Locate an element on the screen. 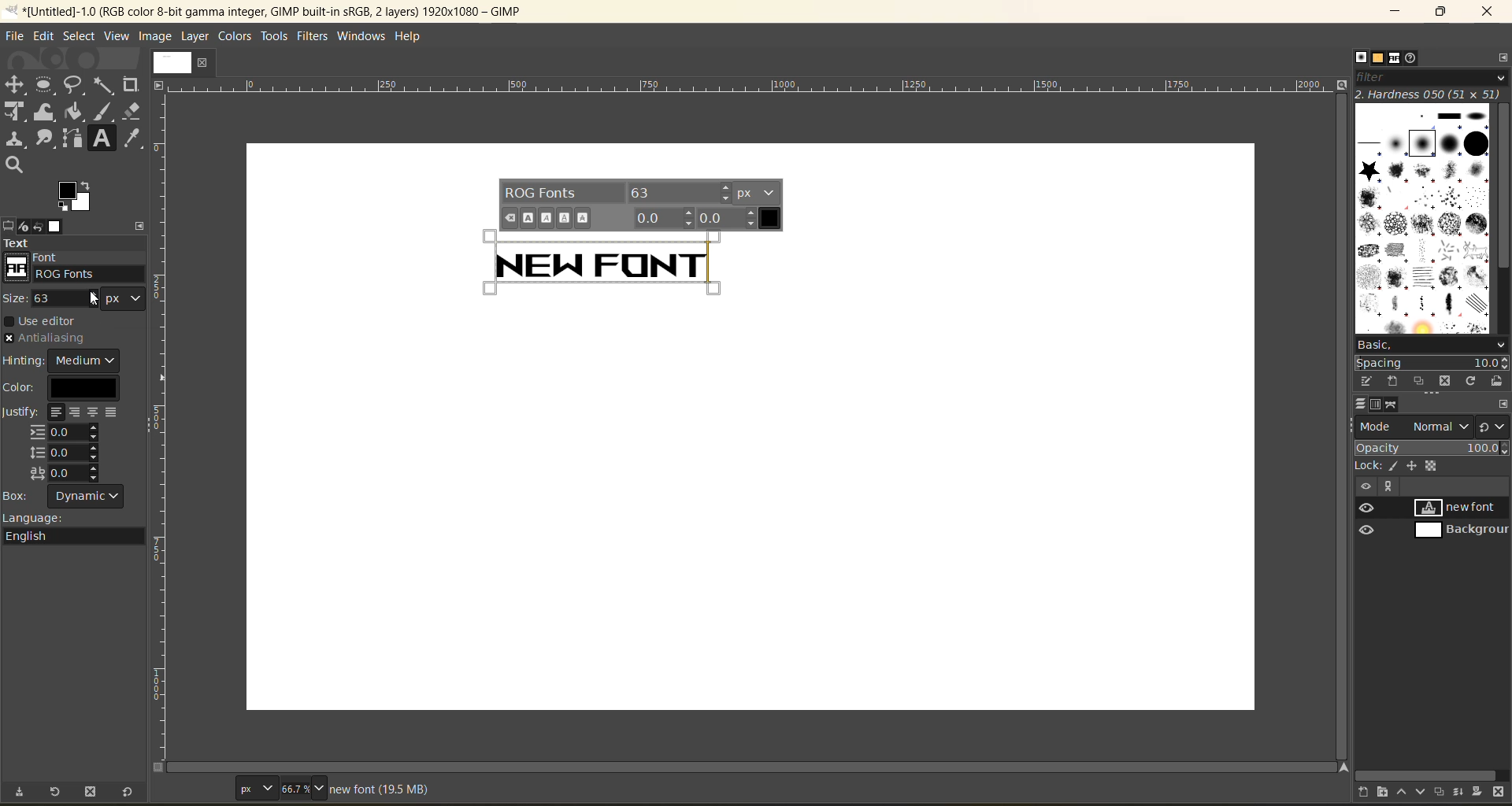 This screenshot has height=806, width=1512. minimize is located at coordinates (1389, 12).